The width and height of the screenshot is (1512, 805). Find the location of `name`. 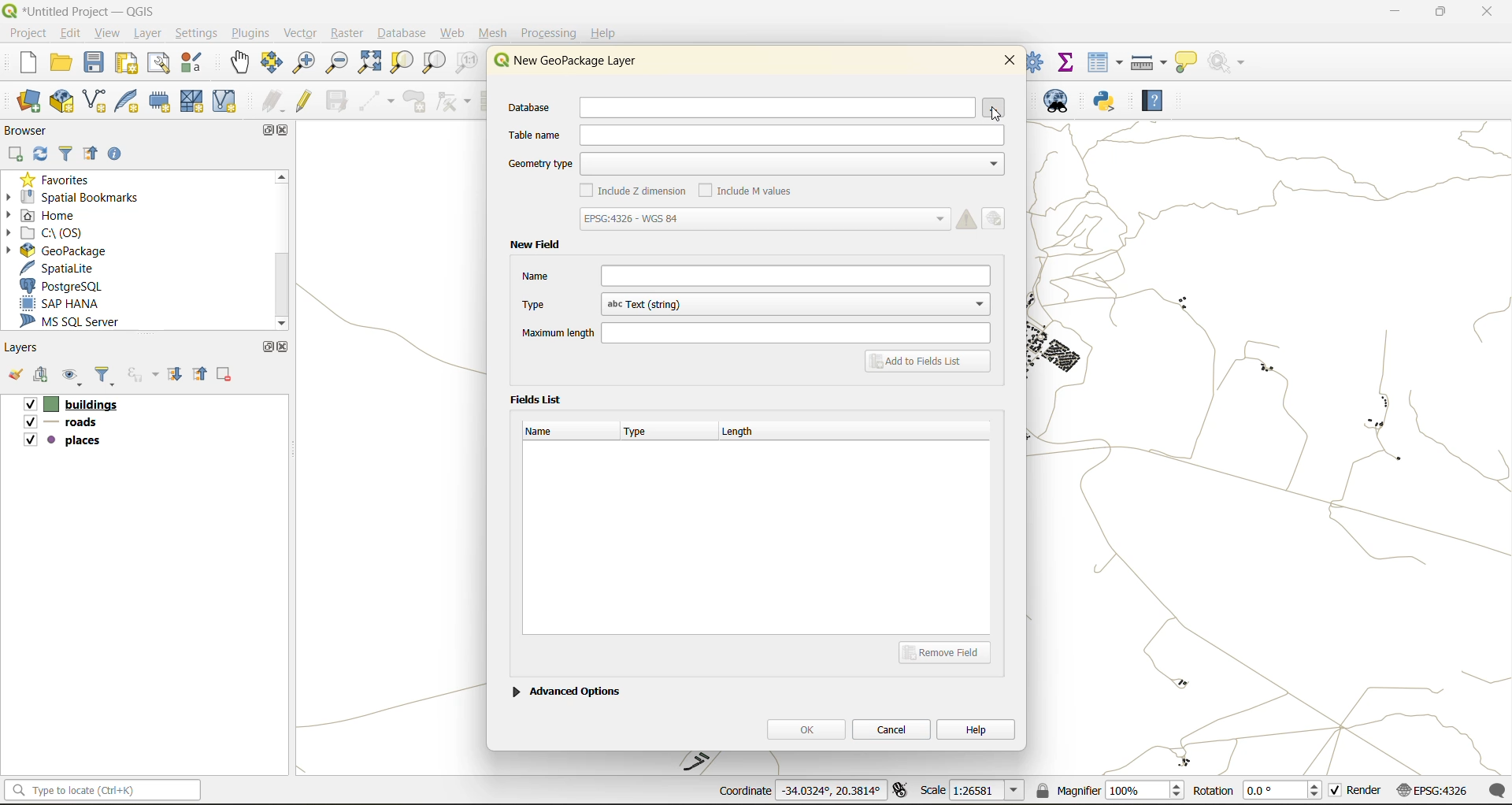

name is located at coordinates (755, 276).